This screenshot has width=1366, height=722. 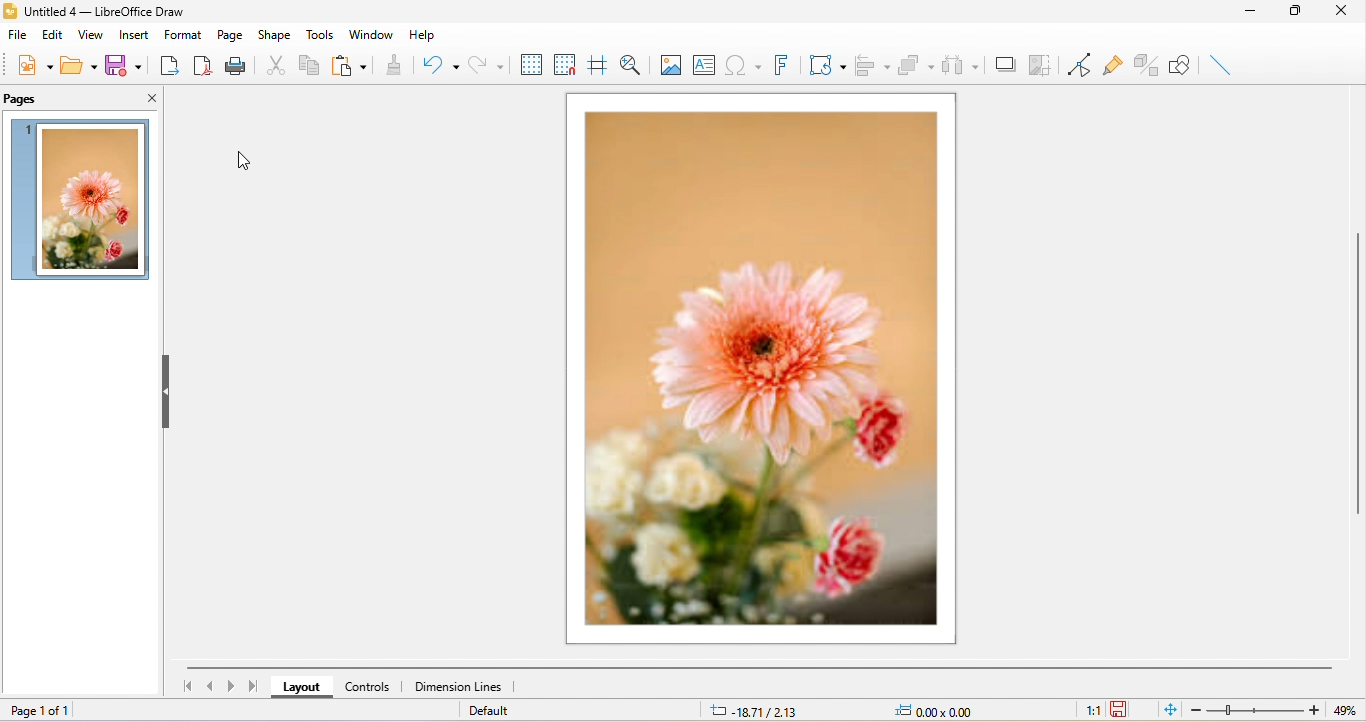 What do you see at coordinates (204, 68) in the screenshot?
I see `export directly as pdf` at bounding box center [204, 68].